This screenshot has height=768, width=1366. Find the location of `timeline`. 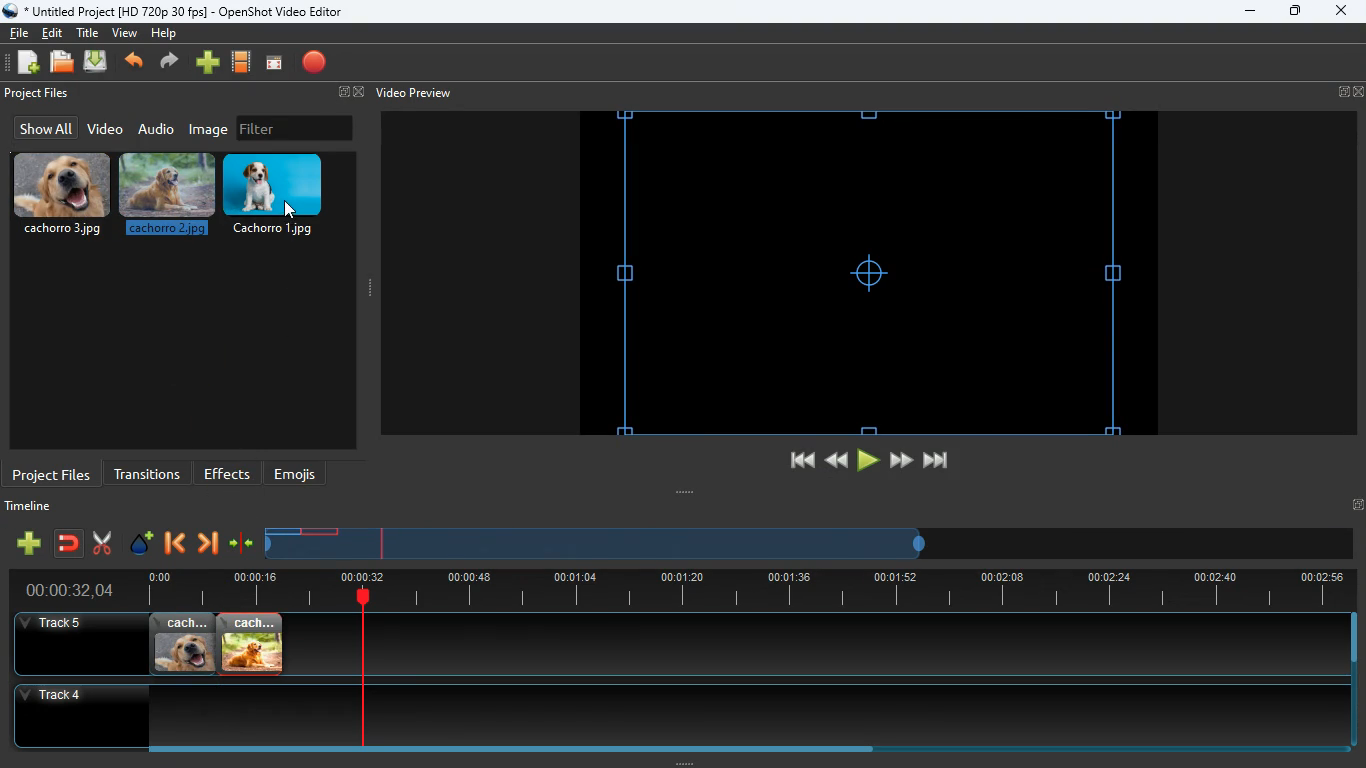

timeline is located at coordinates (598, 551).